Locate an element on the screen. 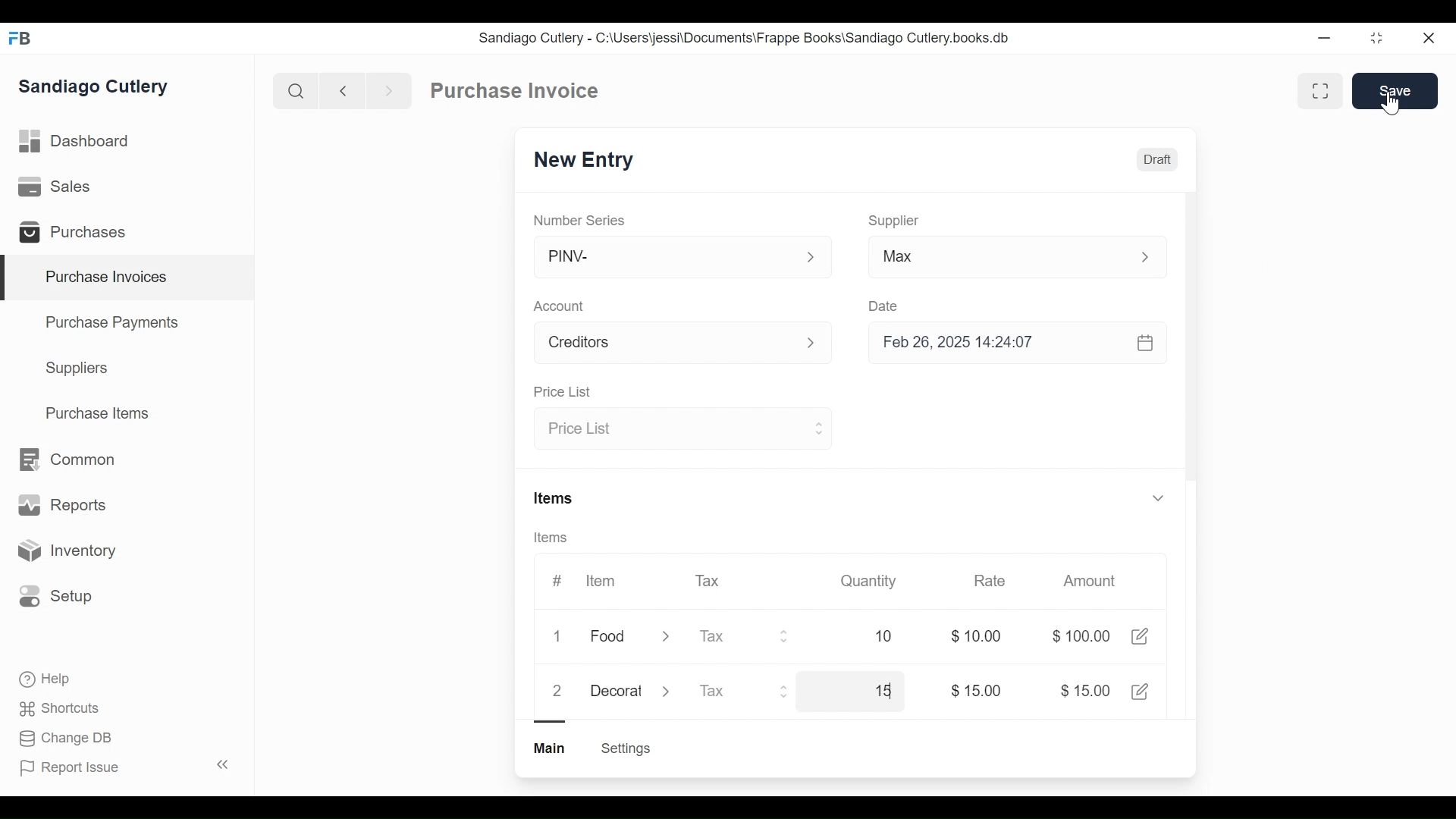 Image resolution: width=1456 pixels, height=819 pixels. Max is located at coordinates (987, 259).